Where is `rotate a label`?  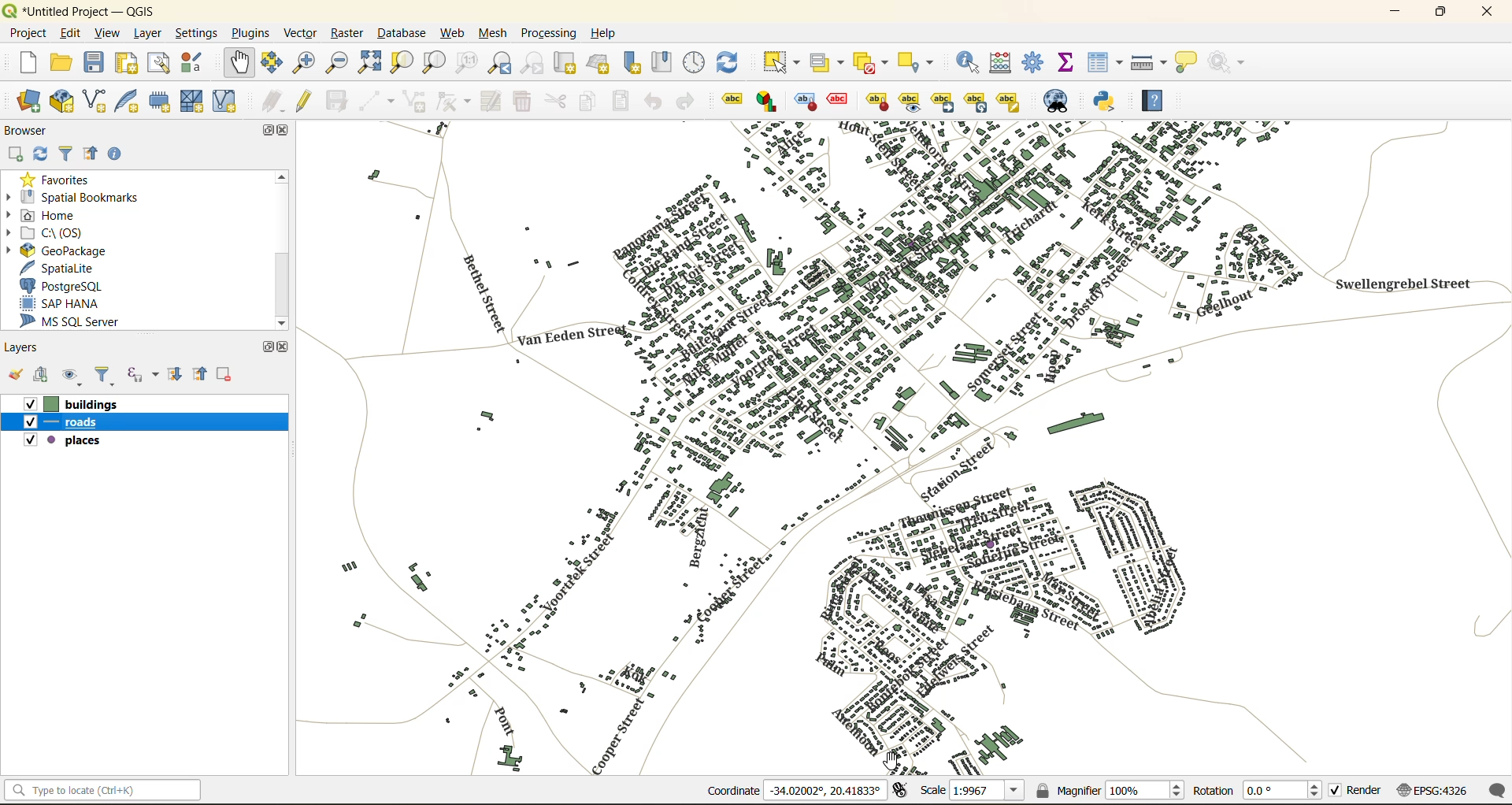
rotate a label is located at coordinates (976, 102).